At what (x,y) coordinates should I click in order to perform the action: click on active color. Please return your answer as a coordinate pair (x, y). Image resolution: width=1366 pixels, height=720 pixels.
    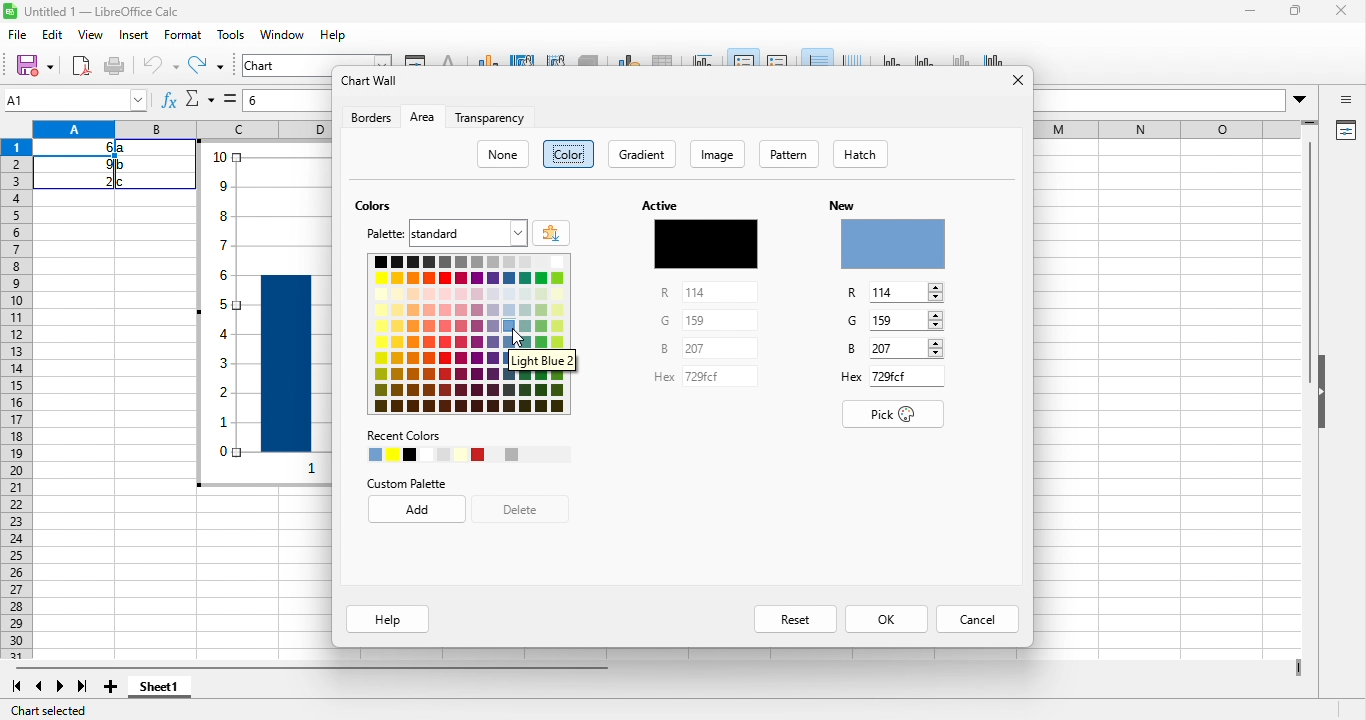
    Looking at the image, I should click on (702, 232).